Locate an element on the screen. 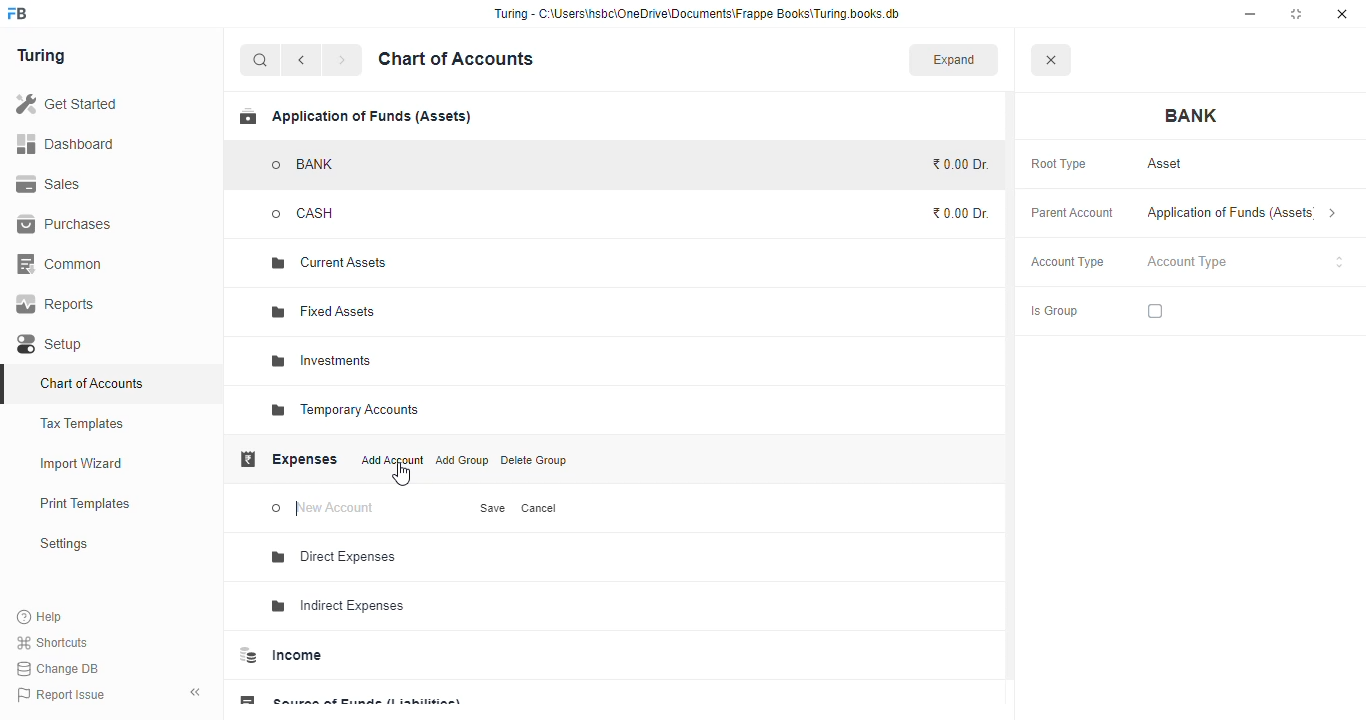 This screenshot has width=1366, height=720. back is located at coordinates (301, 60).